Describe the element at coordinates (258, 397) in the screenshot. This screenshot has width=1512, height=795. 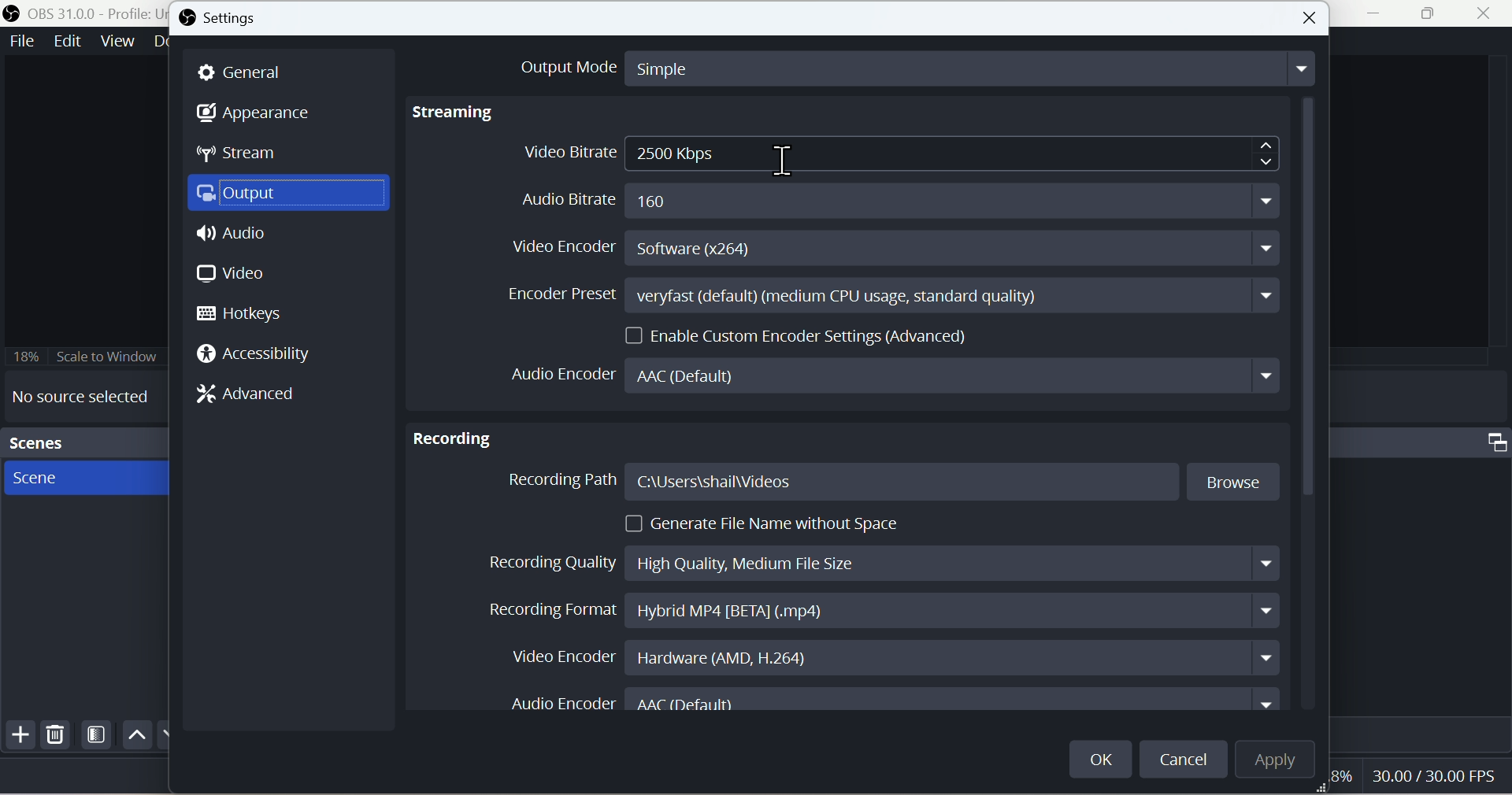
I see `Advanced` at that location.